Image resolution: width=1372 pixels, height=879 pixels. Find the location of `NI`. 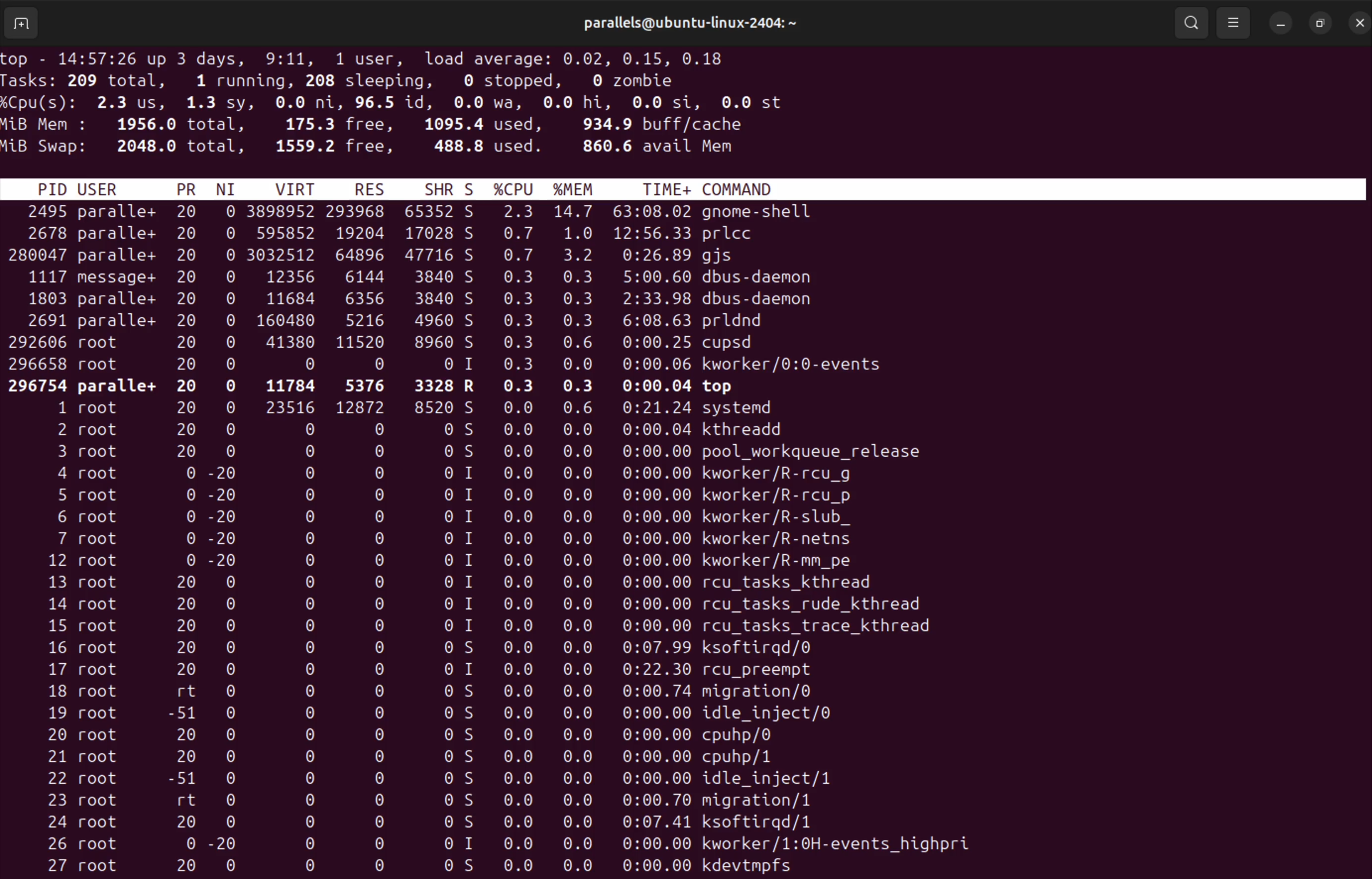

NI is located at coordinates (232, 188).